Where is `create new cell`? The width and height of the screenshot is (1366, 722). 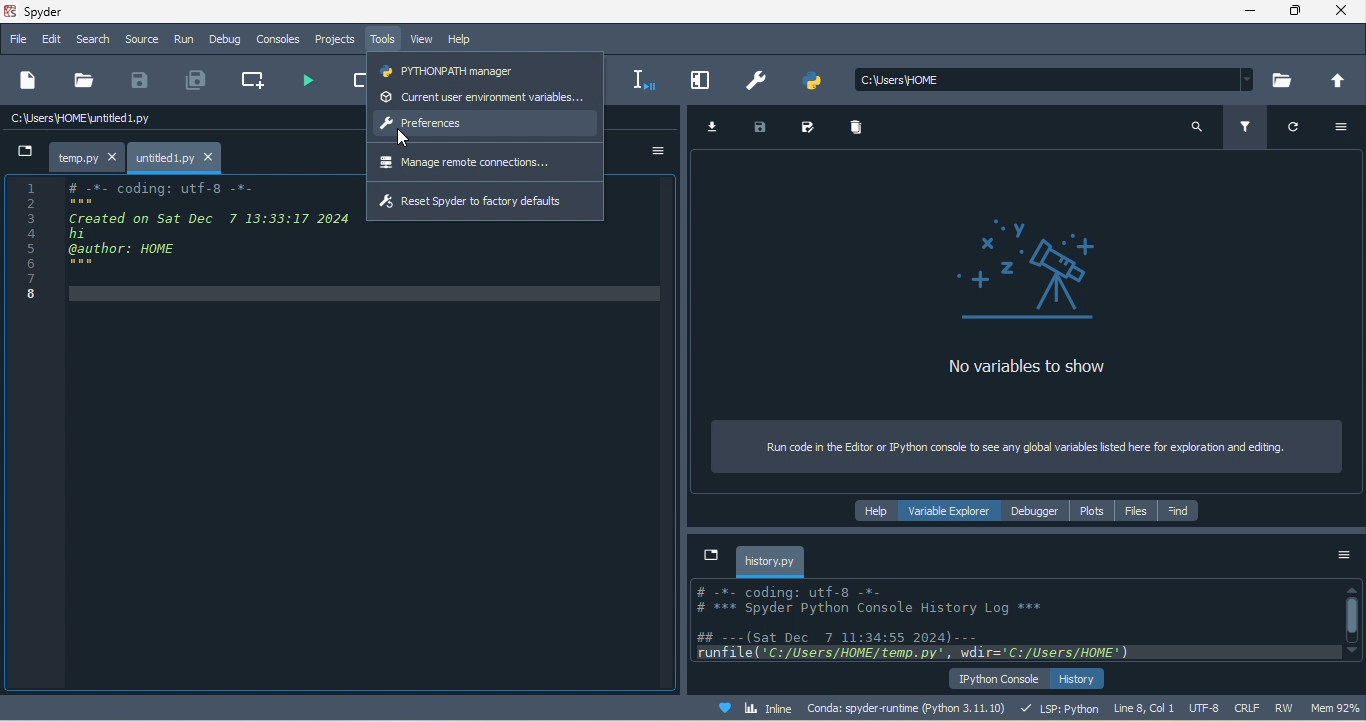
create new cell is located at coordinates (258, 81).